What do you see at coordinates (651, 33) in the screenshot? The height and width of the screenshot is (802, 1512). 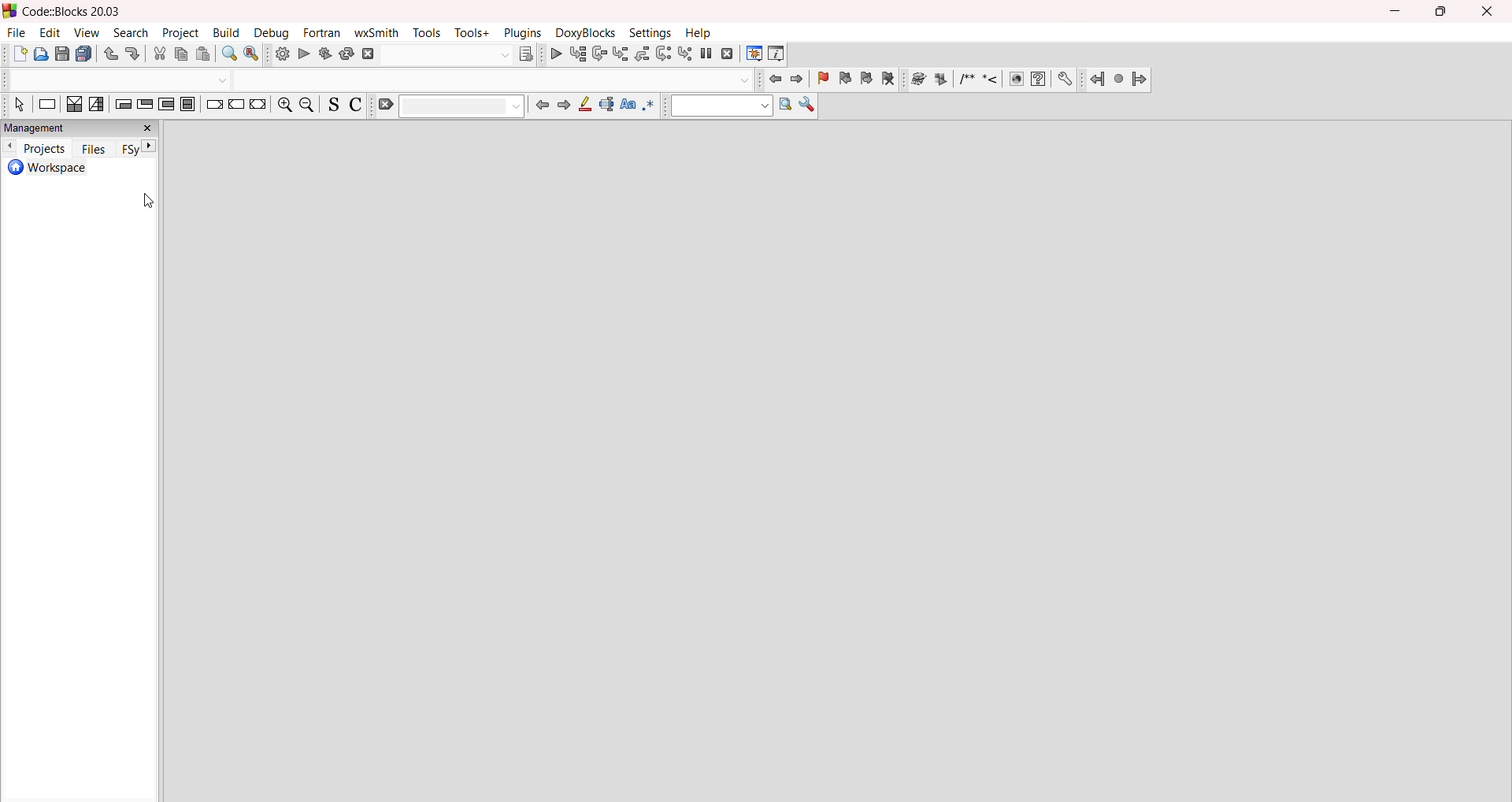 I see `settings` at bounding box center [651, 33].